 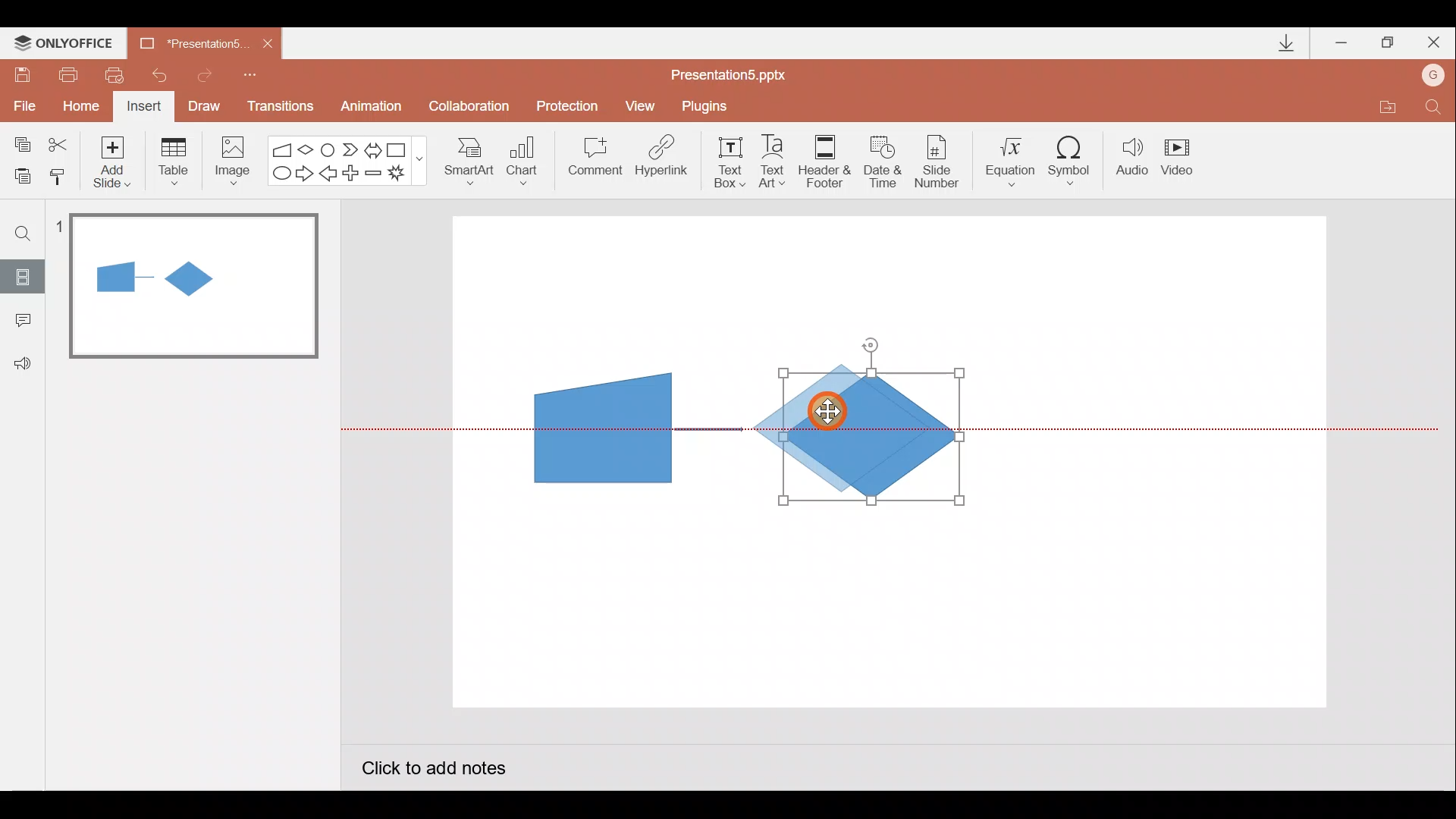 I want to click on Undo, so click(x=162, y=75).